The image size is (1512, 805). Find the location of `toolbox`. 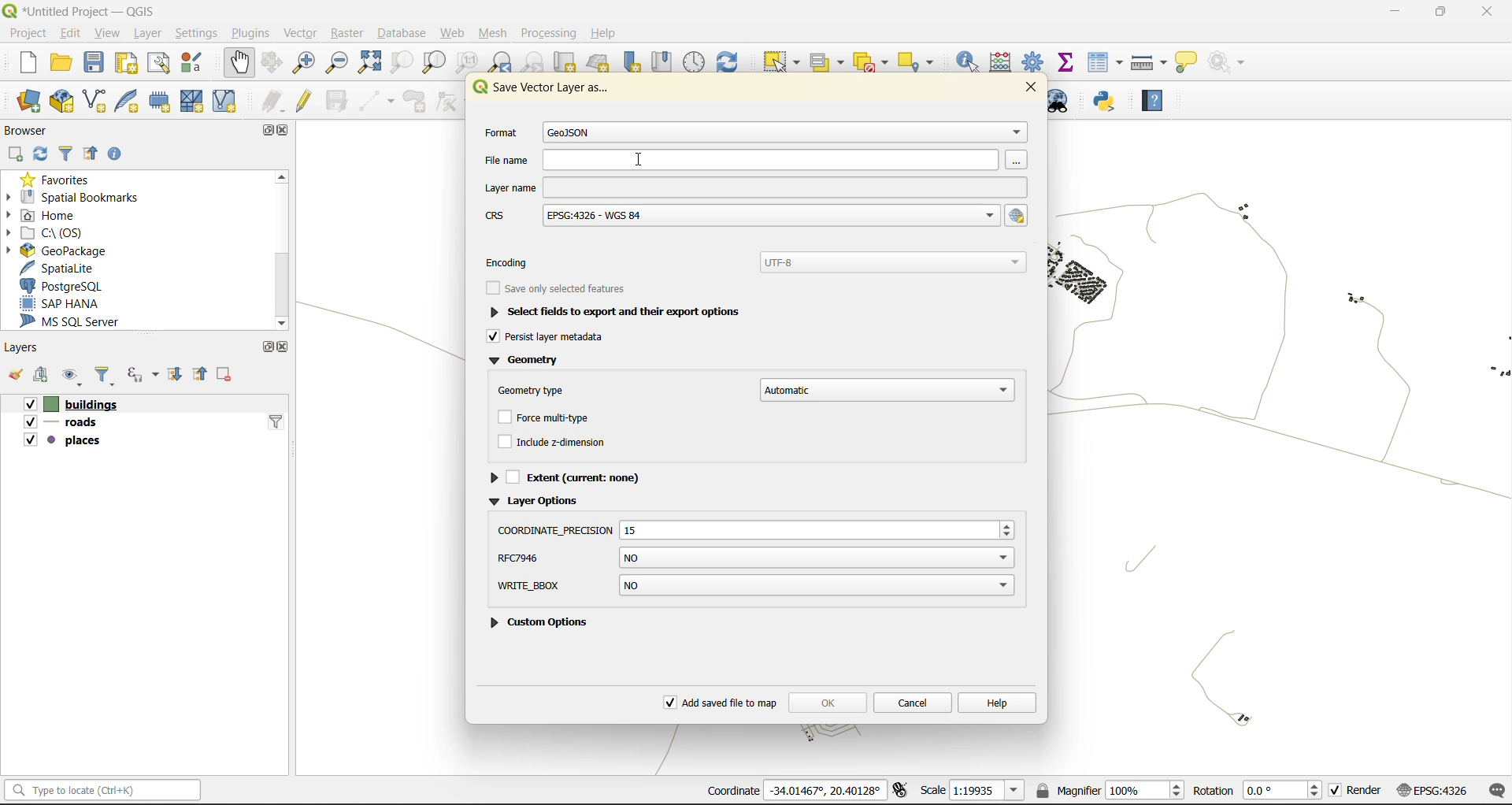

toolbox is located at coordinates (1036, 61).